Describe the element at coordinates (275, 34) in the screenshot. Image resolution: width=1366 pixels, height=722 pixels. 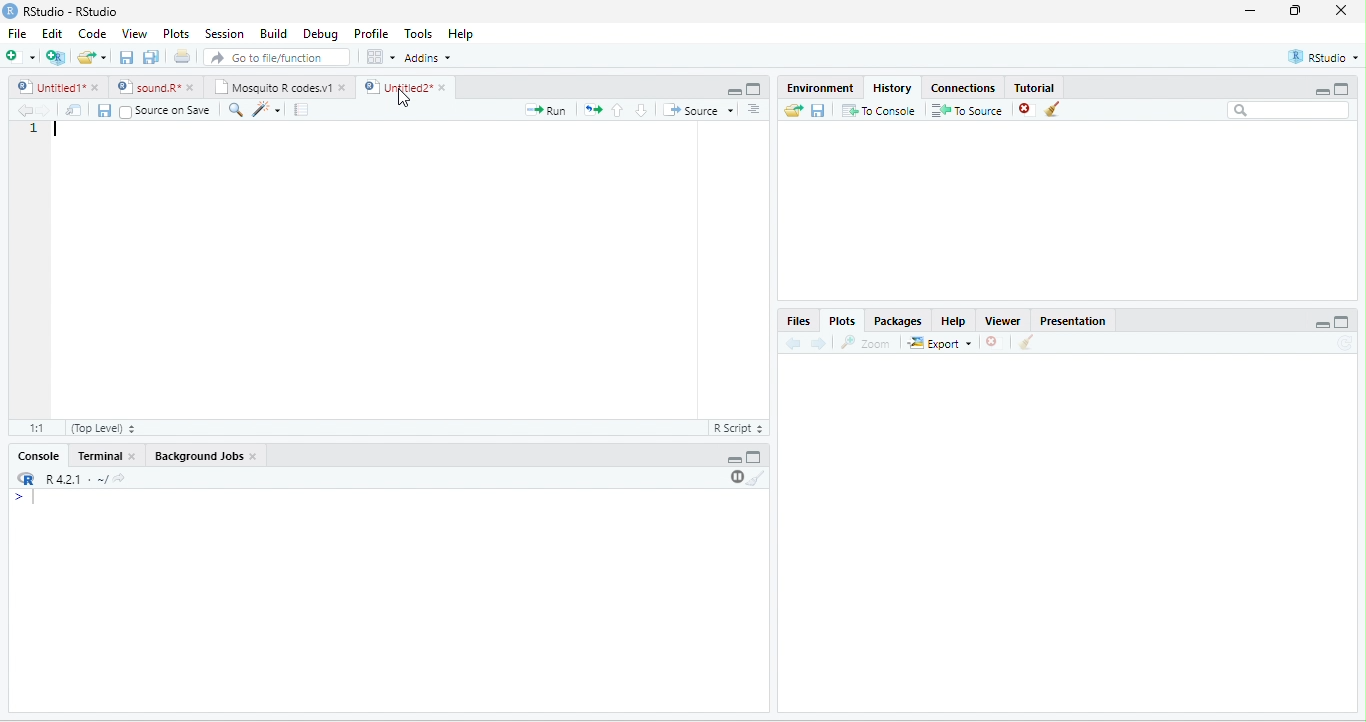
I see `Build` at that location.